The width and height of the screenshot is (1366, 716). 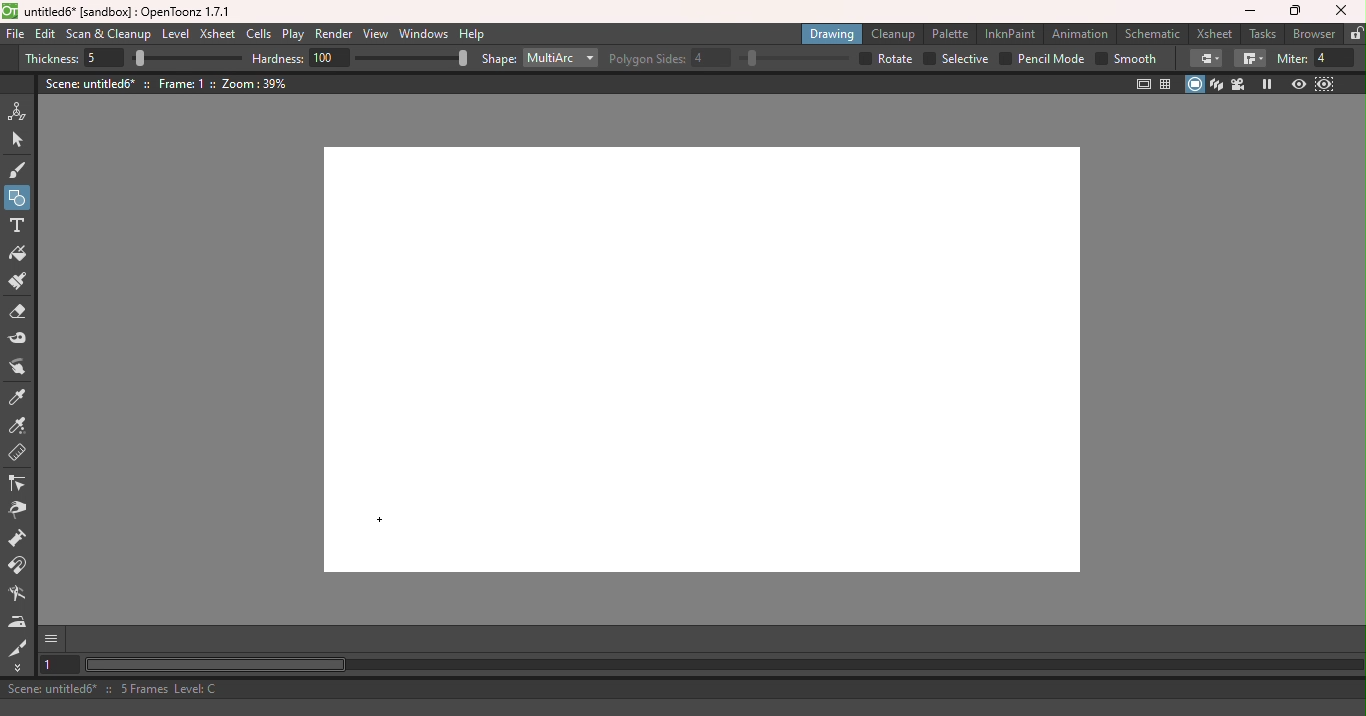 What do you see at coordinates (19, 282) in the screenshot?
I see `Paint brush` at bounding box center [19, 282].